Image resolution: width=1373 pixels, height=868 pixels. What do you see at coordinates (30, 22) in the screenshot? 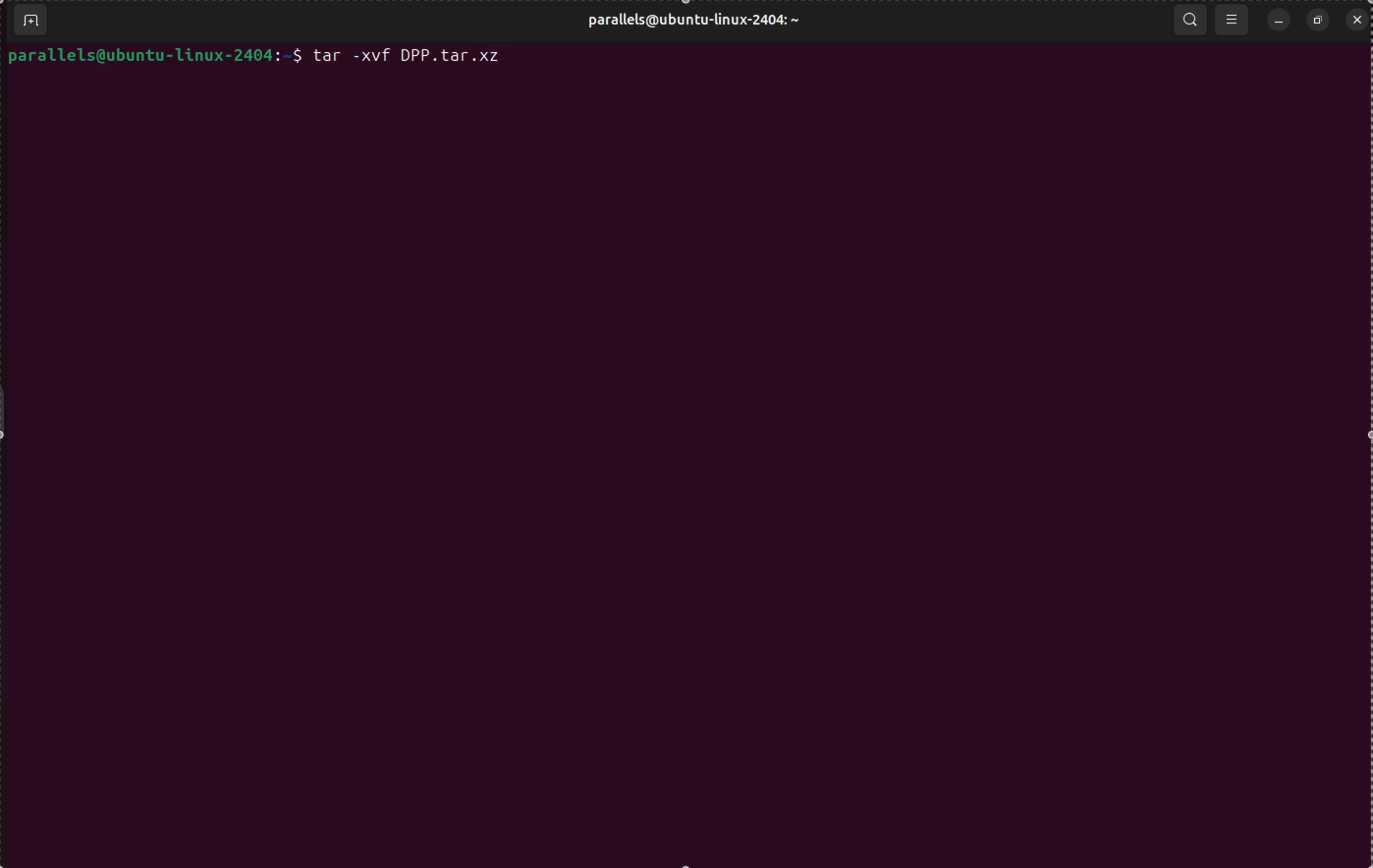
I see `add terminal` at bounding box center [30, 22].